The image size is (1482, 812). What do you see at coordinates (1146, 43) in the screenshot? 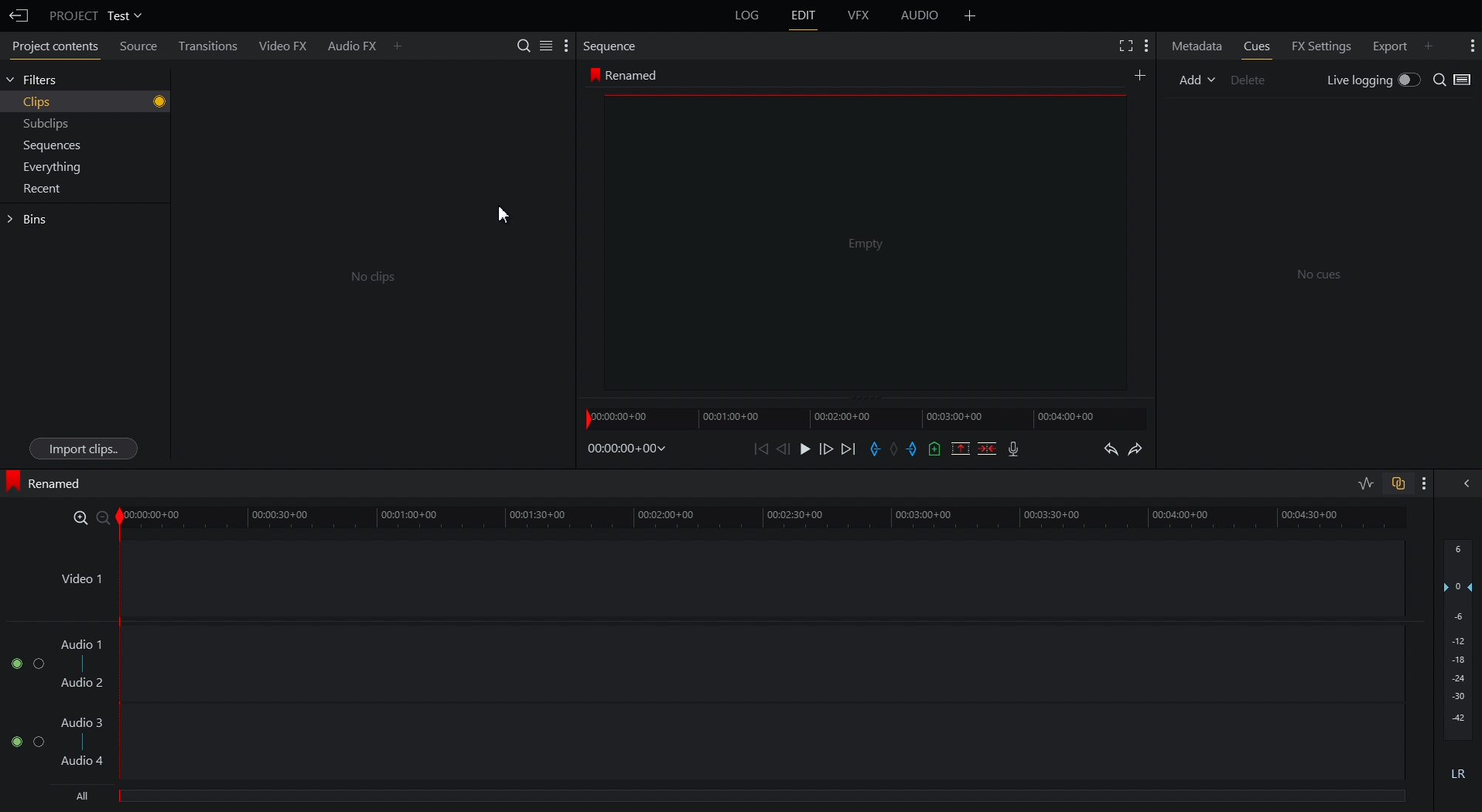
I see `Settings` at bounding box center [1146, 43].